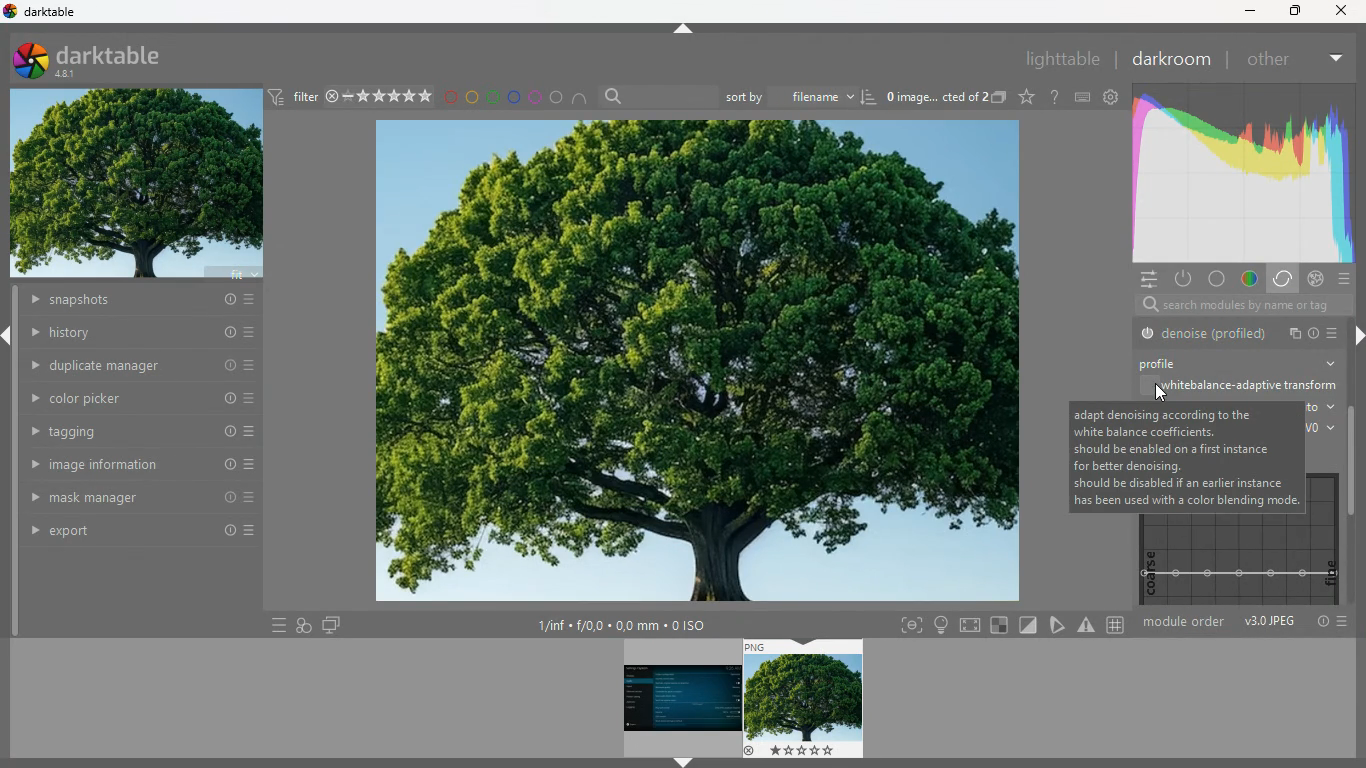 This screenshot has width=1366, height=768. What do you see at coordinates (1116, 623) in the screenshot?
I see `hashtag` at bounding box center [1116, 623].